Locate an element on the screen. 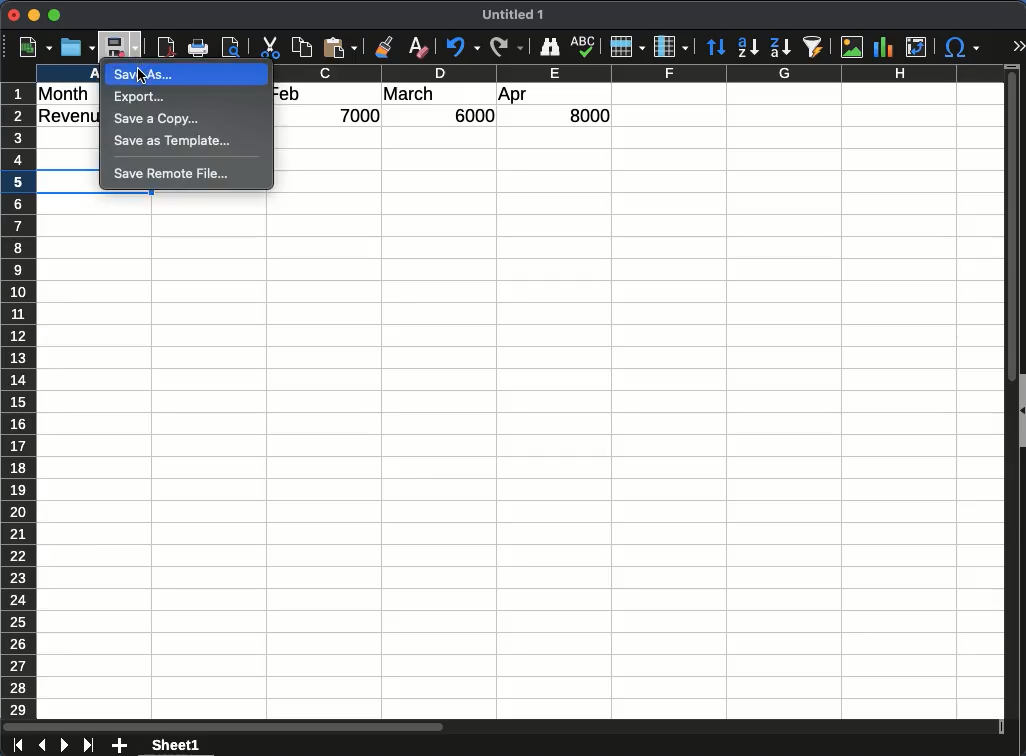 The image size is (1026, 756). row is located at coordinates (17, 400).